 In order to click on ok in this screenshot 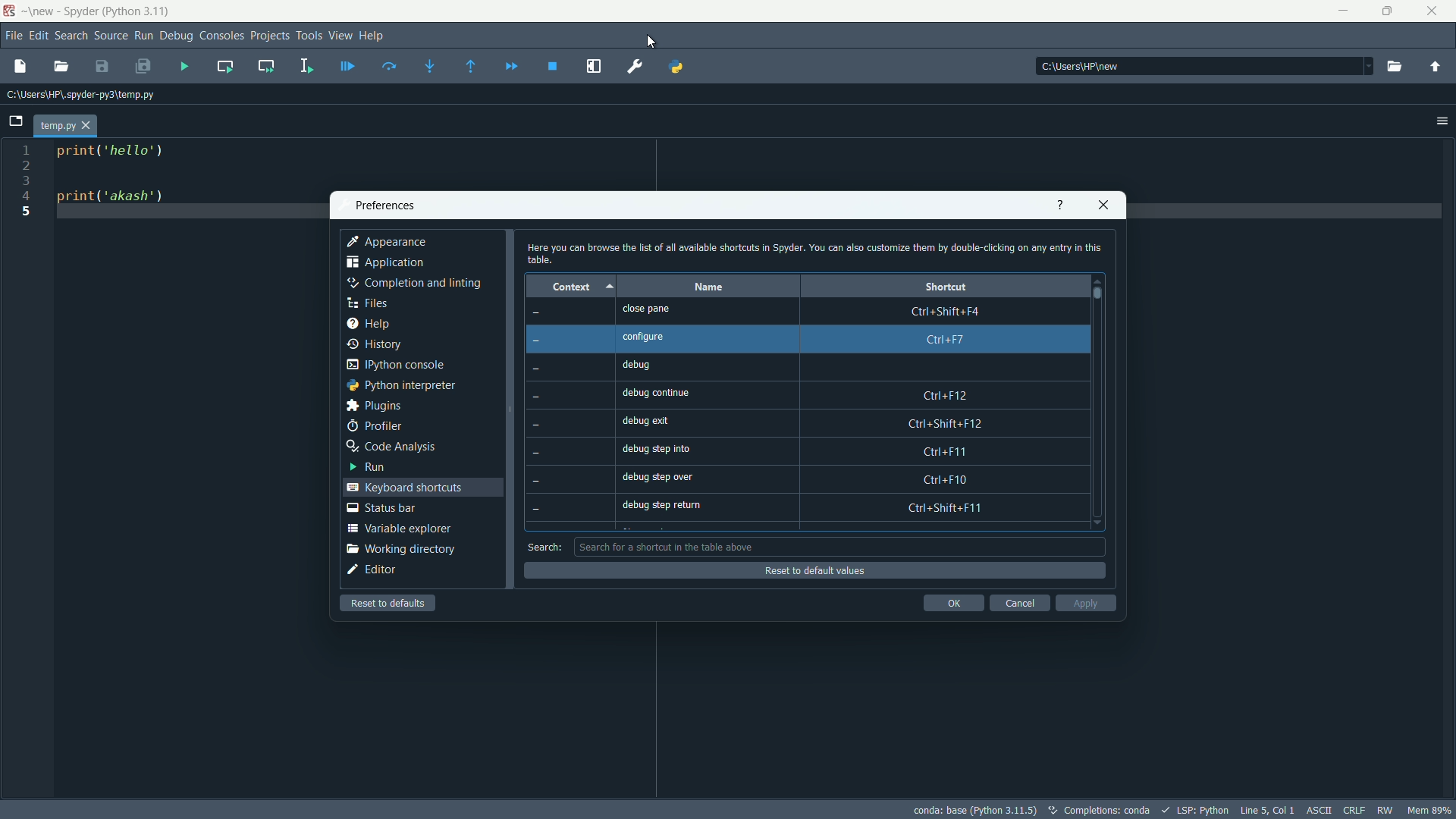, I will do `click(953, 603)`.